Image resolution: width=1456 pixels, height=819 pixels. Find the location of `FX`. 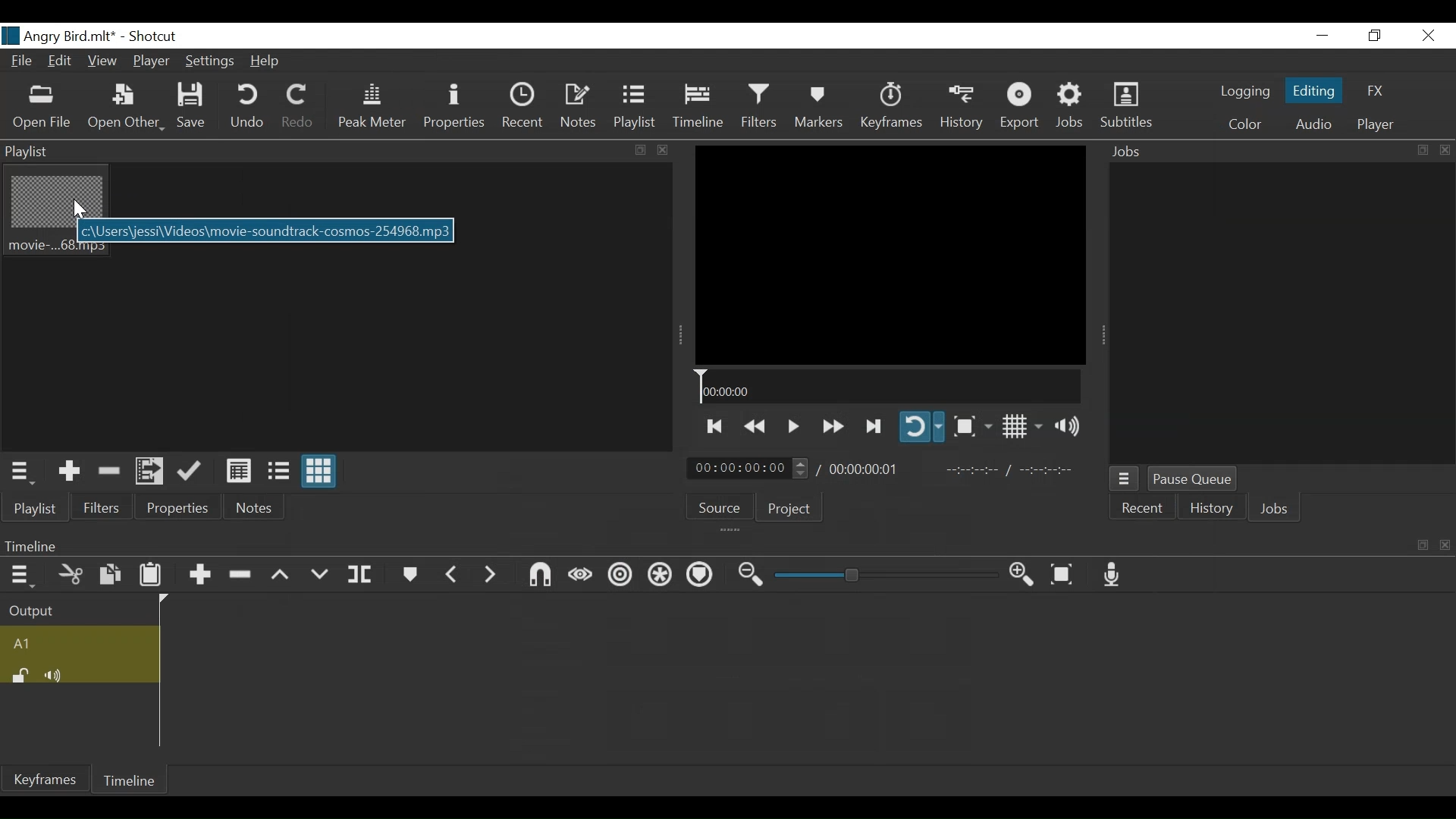

FX is located at coordinates (1373, 91).